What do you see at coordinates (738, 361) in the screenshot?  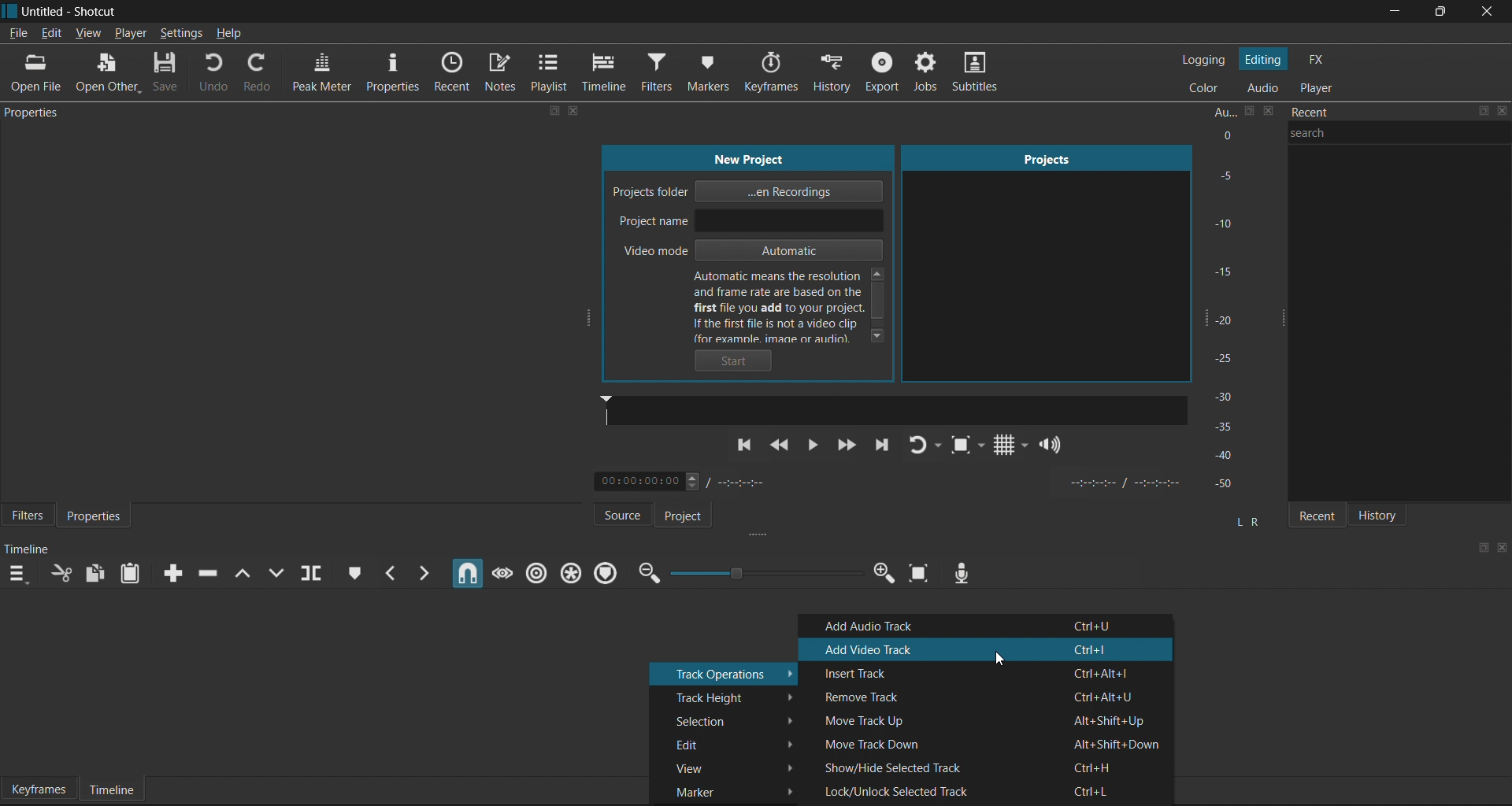 I see `Start` at bounding box center [738, 361].